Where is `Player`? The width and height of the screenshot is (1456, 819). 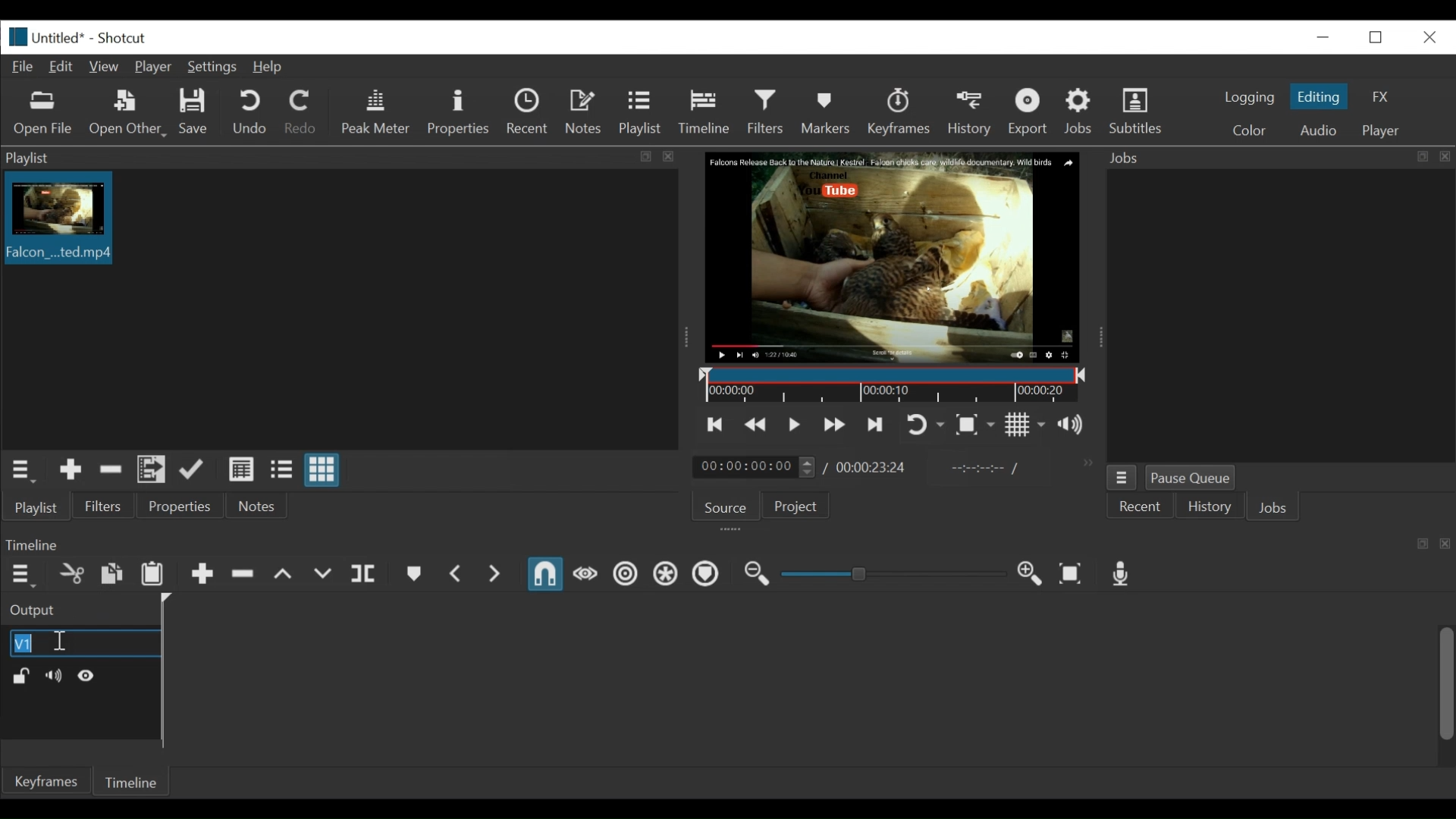
Player is located at coordinates (1381, 130).